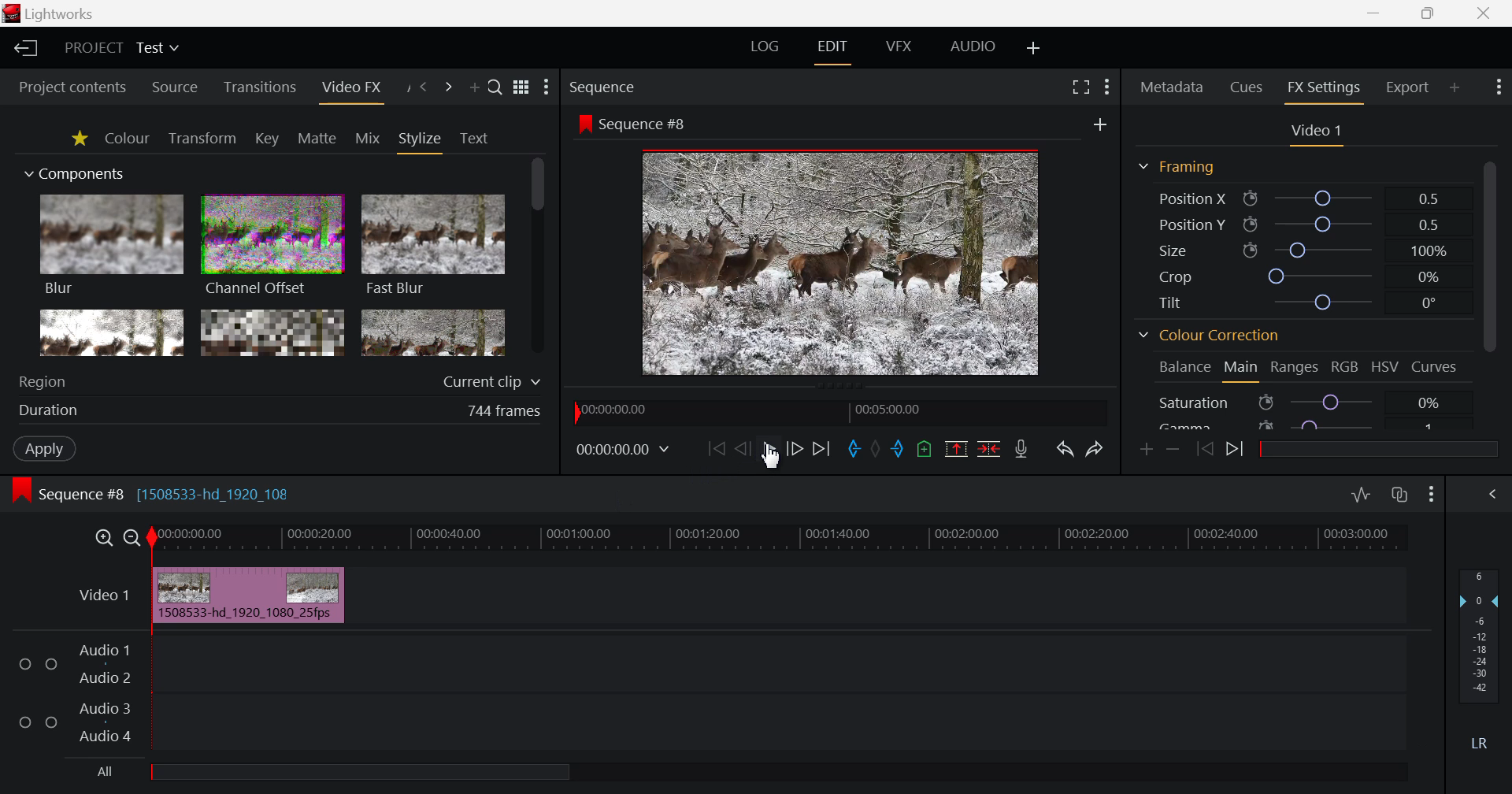  Describe the element at coordinates (424, 87) in the screenshot. I see `Previous Panel` at that location.